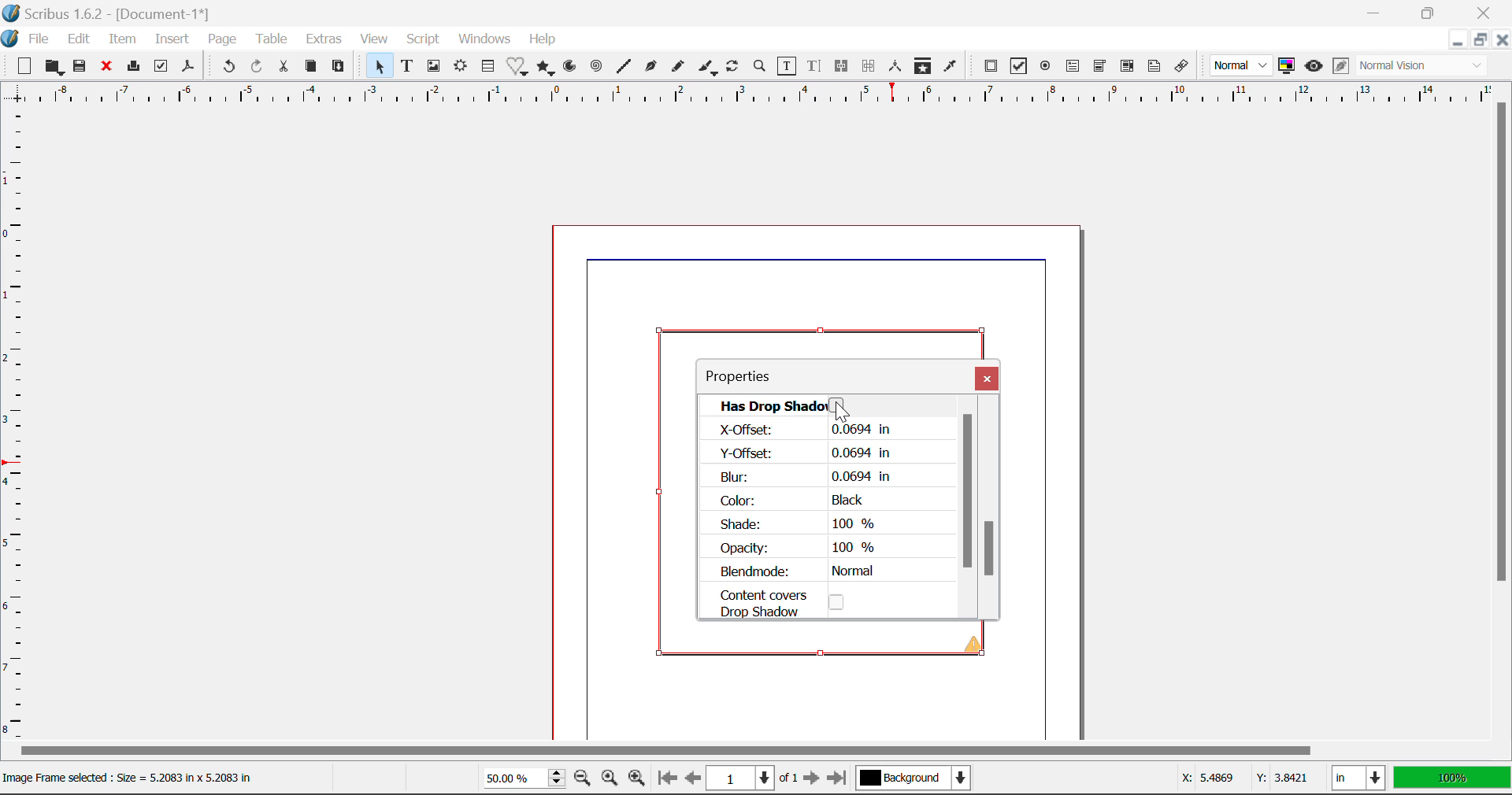  What do you see at coordinates (816, 68) in the screenshot?
I see `Edit Text with Story Editor` at bounding box center [816, 68].